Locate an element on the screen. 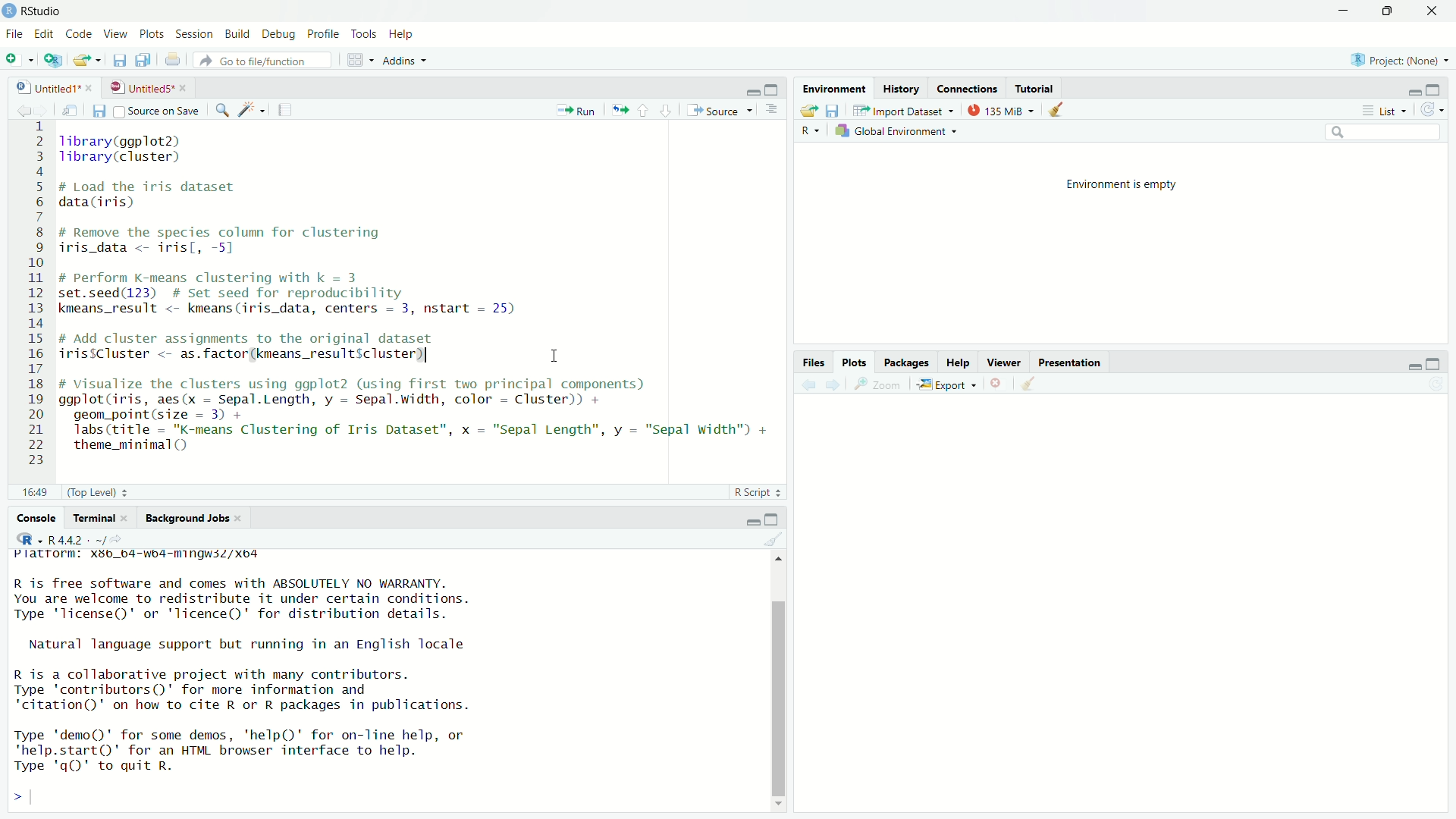 This screenshot has width=1456, height=819. run the current line or selection is located at coordinates (575, 109).